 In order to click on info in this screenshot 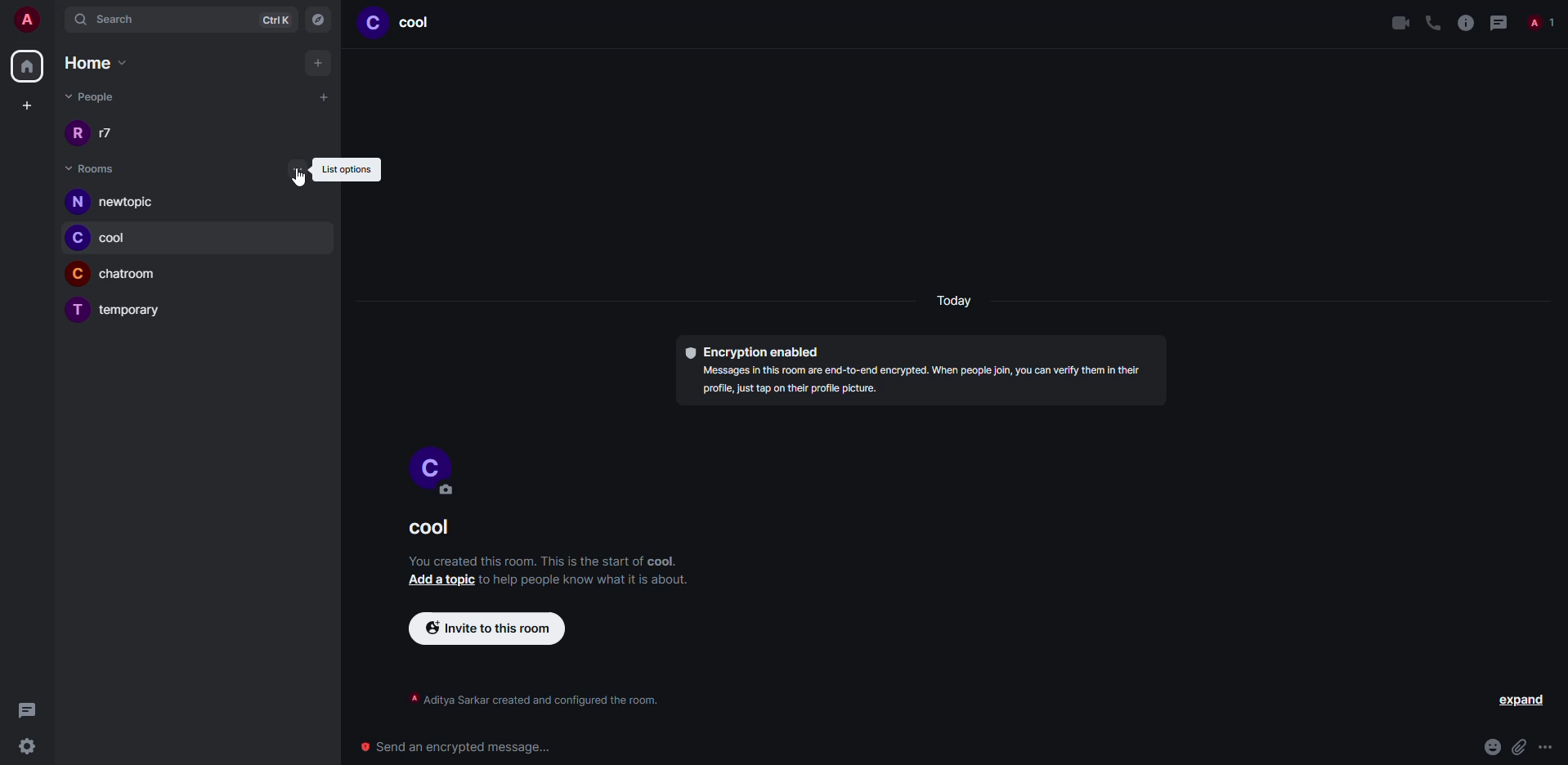, I will do `click(540, 696)`.